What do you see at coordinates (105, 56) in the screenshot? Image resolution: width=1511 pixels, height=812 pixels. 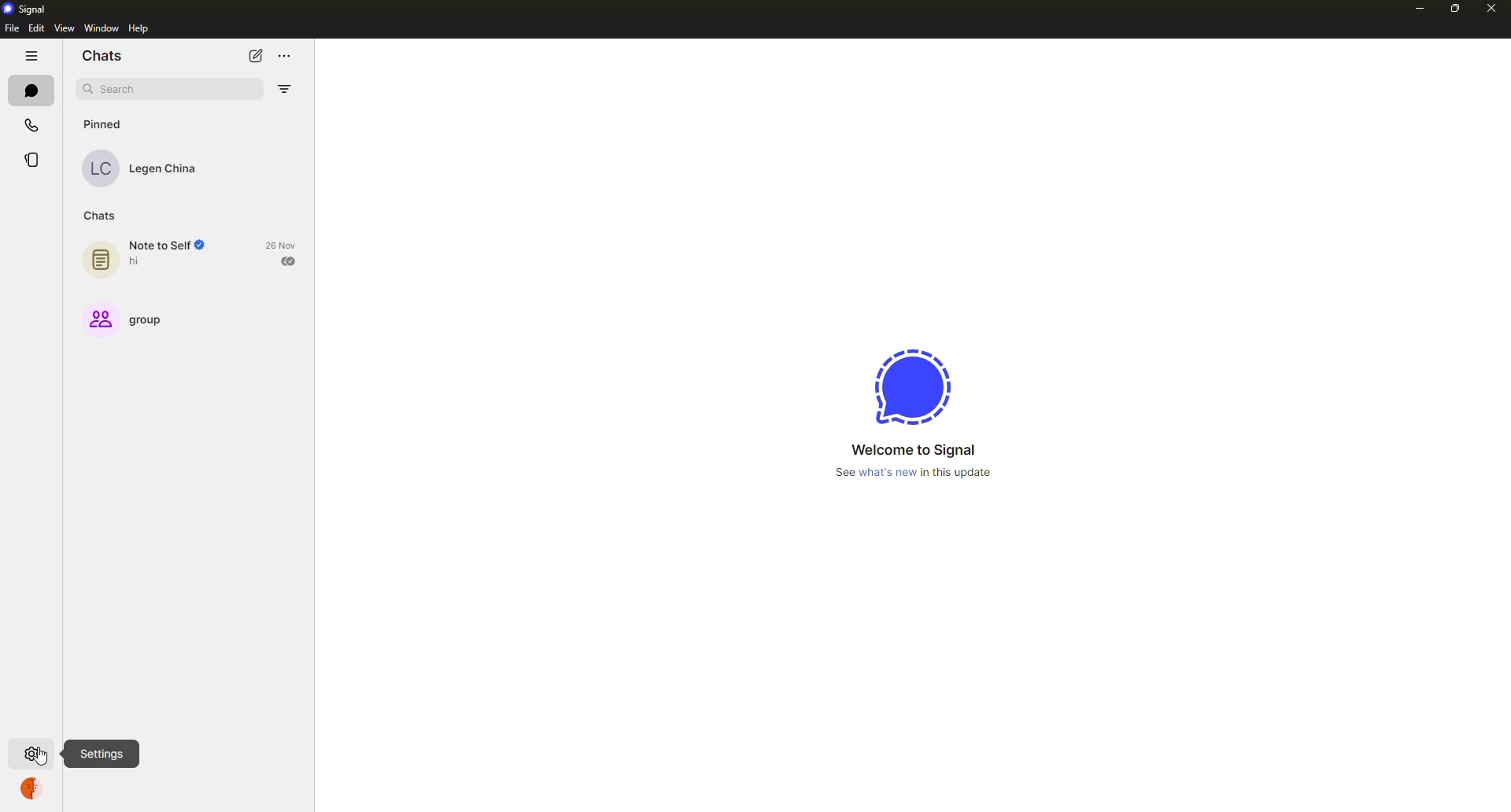 I see `chats` at bounding box center [105, 56].